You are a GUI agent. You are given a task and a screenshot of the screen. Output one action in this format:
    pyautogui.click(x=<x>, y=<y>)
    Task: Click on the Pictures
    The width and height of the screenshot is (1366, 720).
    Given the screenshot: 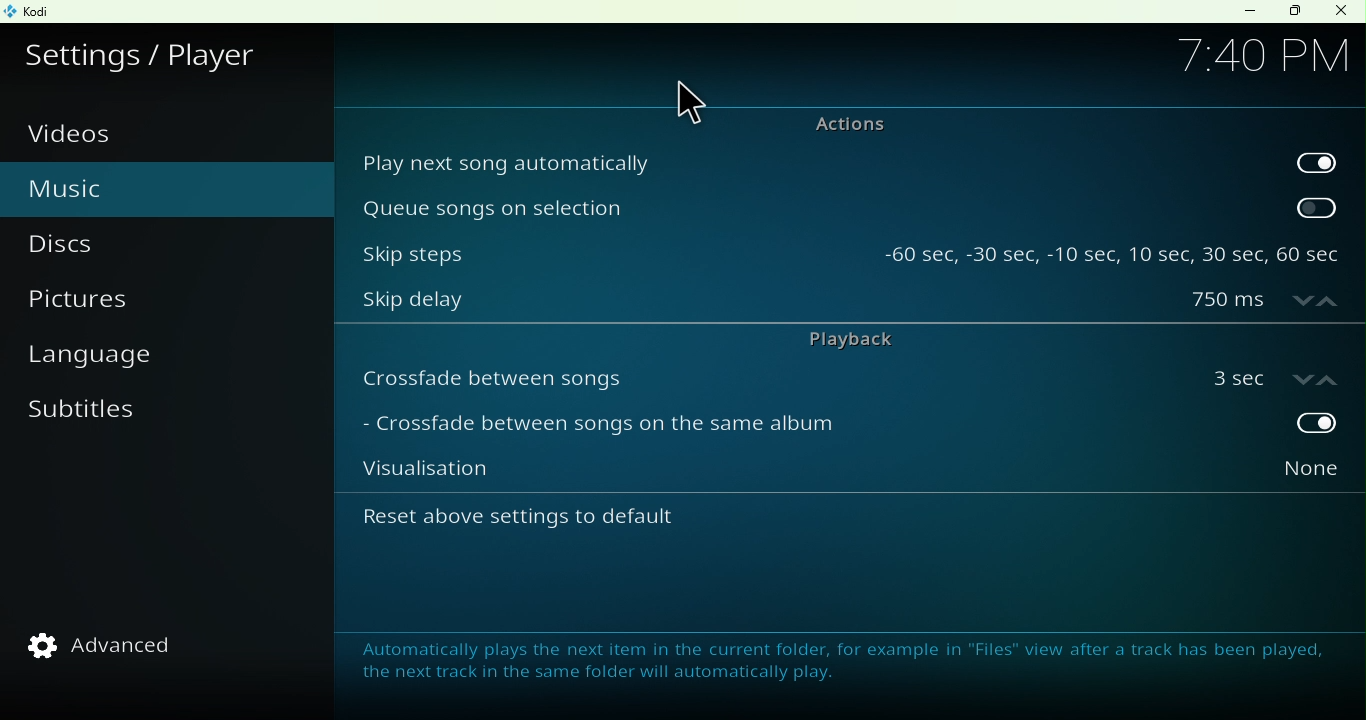 What is the action you would take?
    pyautogui.click(x=109, y=305)
    